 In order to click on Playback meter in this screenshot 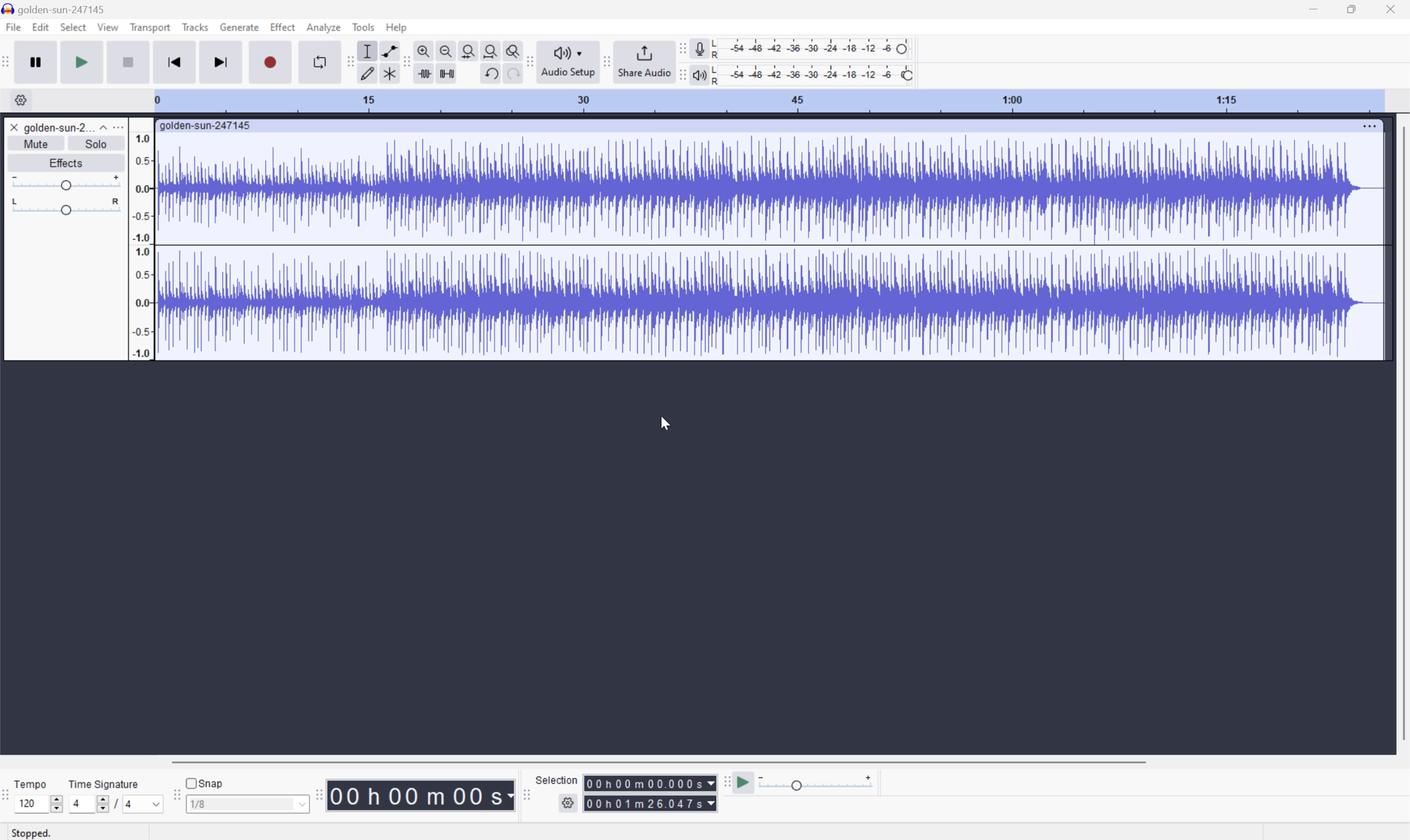, I will do `click(700, 74)`.